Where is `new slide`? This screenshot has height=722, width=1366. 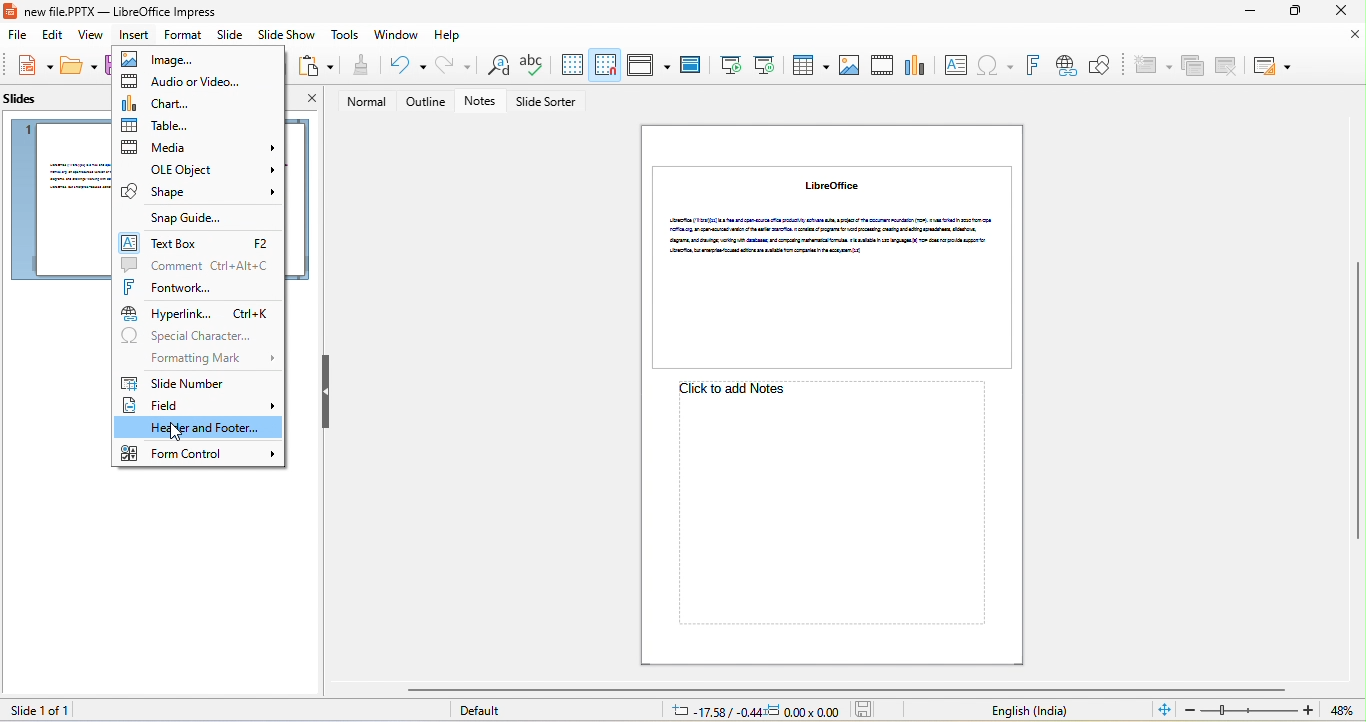 new slide is located at coordinates (1151, 66).